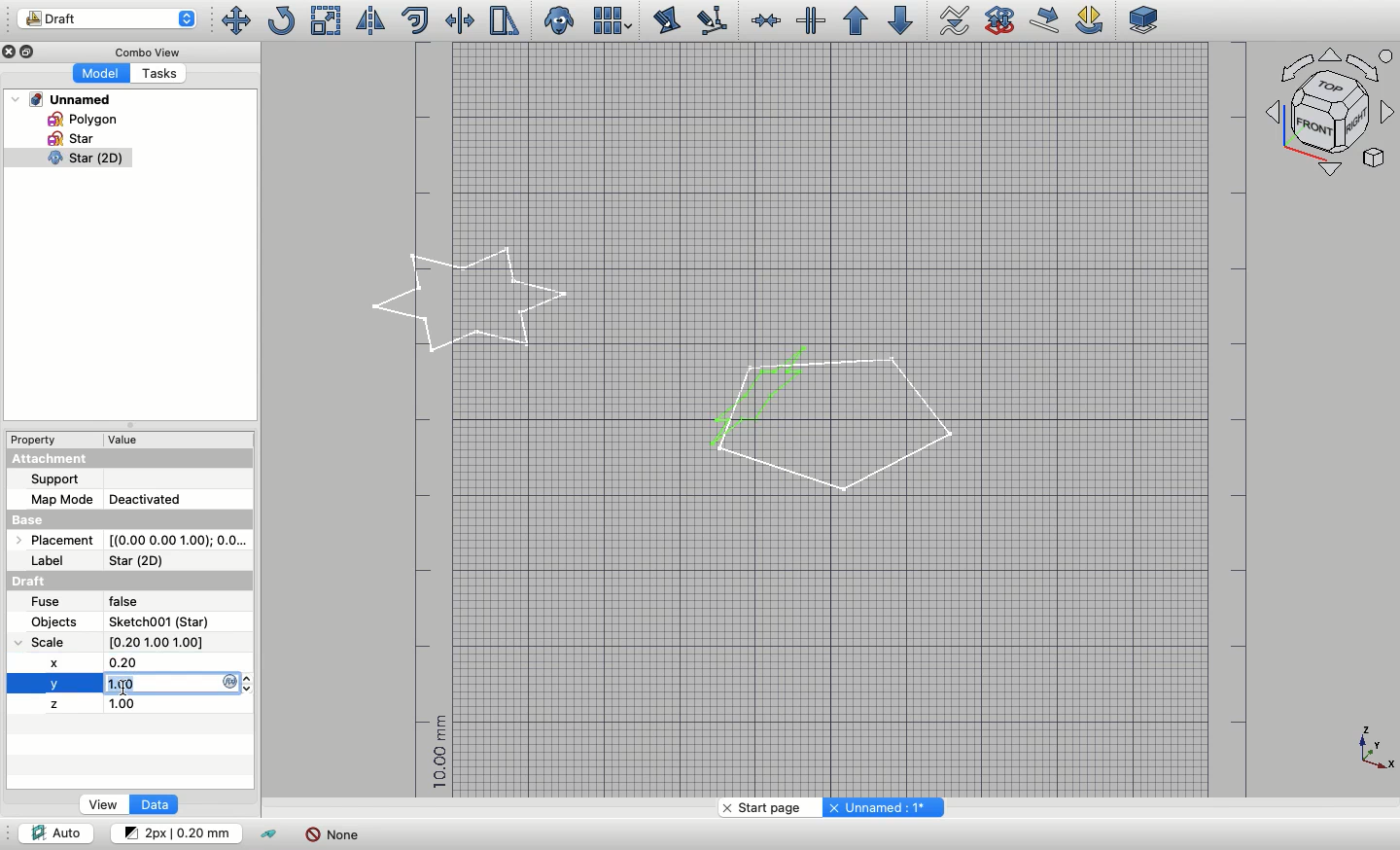 Image resolution: width=1400 pixels, height=850 pixels. What do you see at coordinates (54, 561) in the screenshot?
I see `Label` at bounding box center [54, 561].